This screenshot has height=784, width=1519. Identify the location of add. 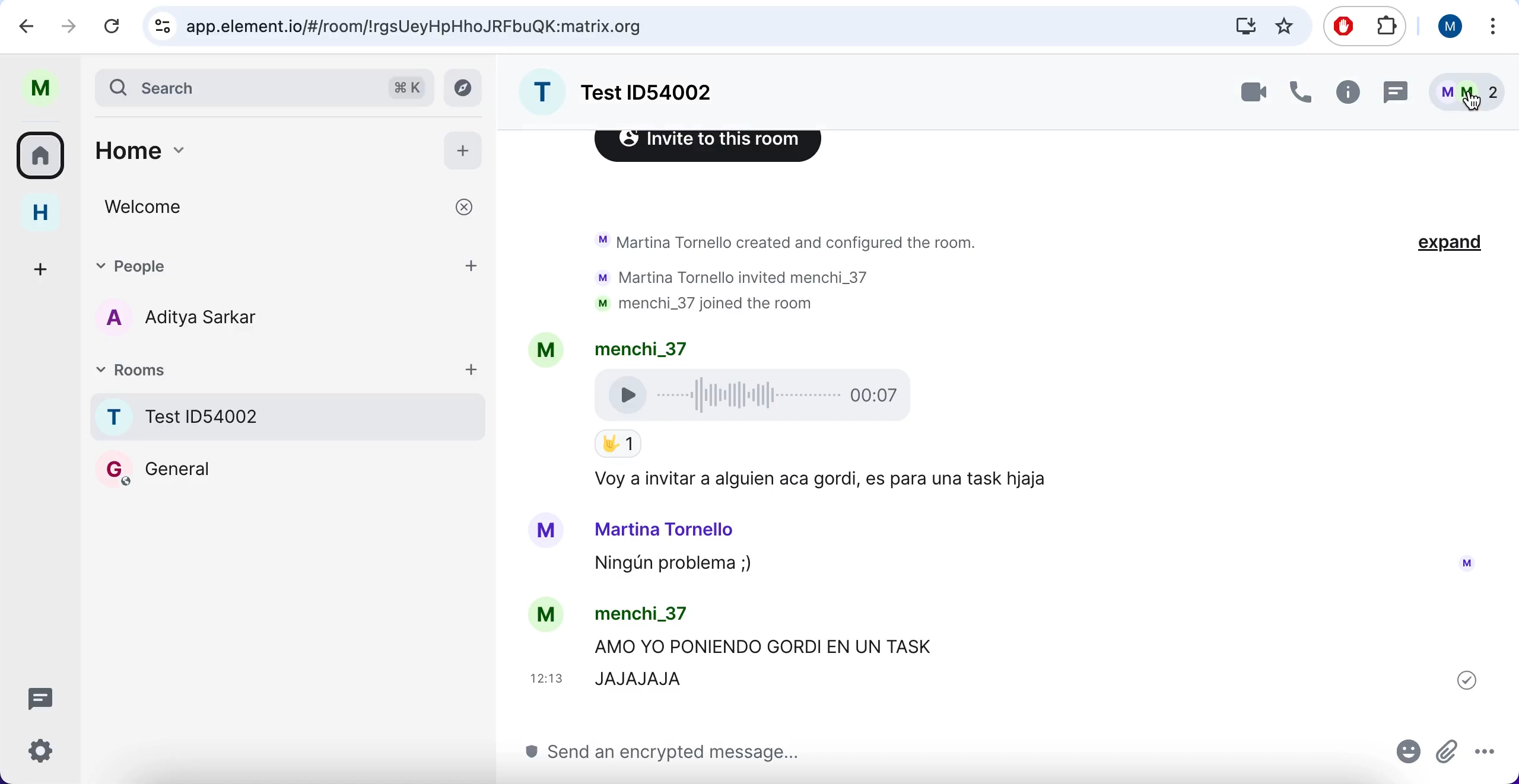
(476, 259).